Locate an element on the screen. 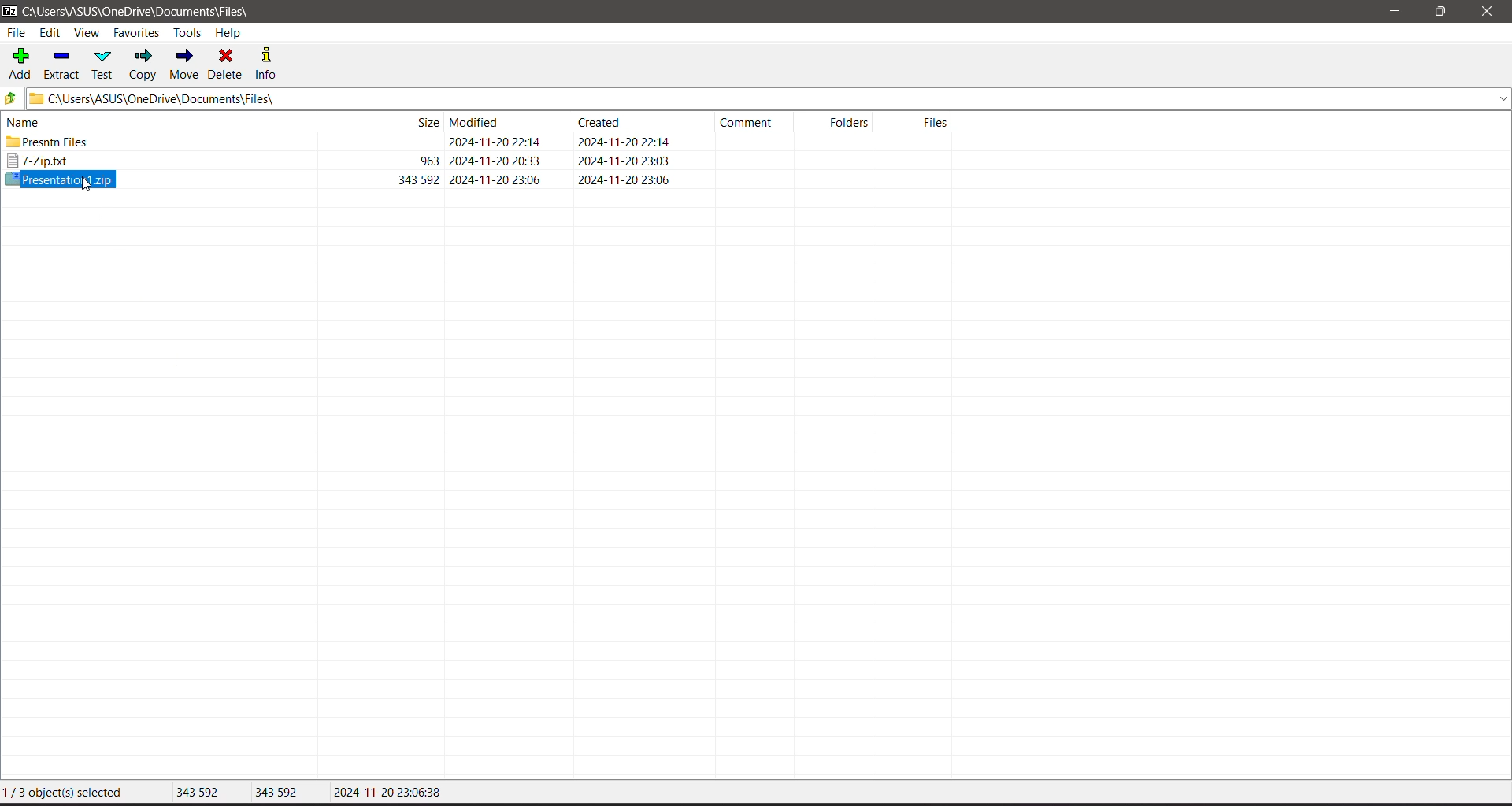 This screenshot has width=1512, height=806. Move is located at coordinates (184, 65).